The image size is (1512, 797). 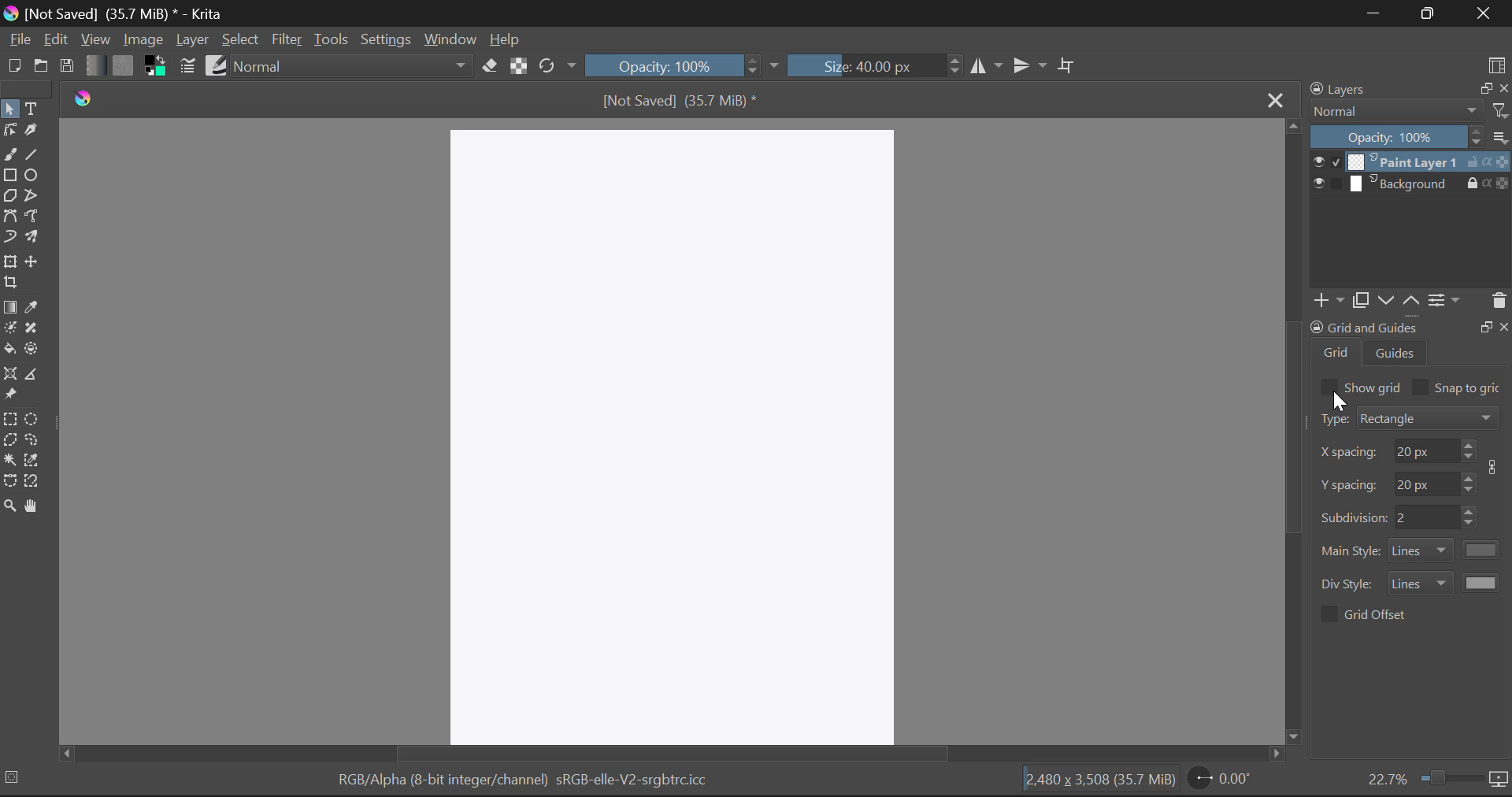 What do you see at coordinates (9, 460) in the screenshot?
I see `Continuous Selection` at bounding box center [9, 460].